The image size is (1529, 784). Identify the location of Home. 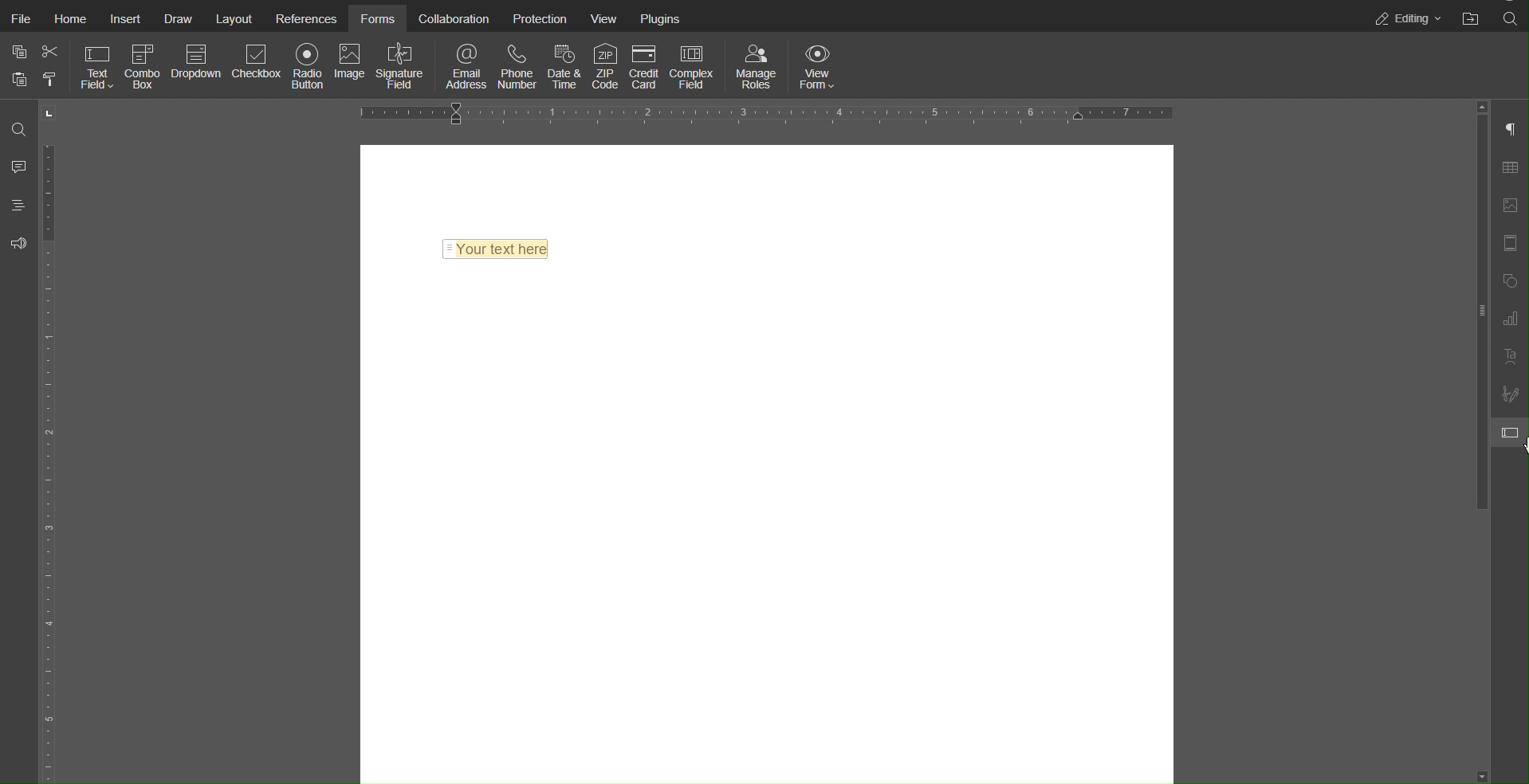
(70, 20).